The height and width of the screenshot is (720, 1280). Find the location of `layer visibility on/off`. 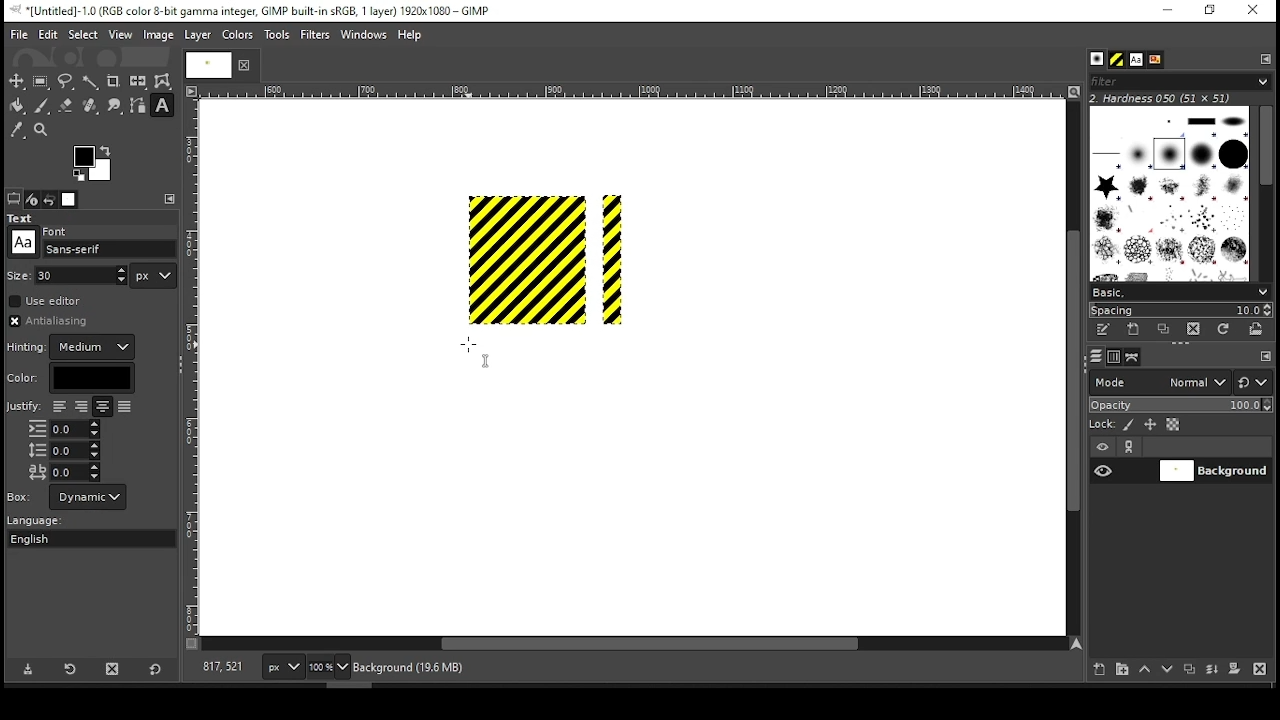

layer visibility on/off is located at coordinates (1104, 470).